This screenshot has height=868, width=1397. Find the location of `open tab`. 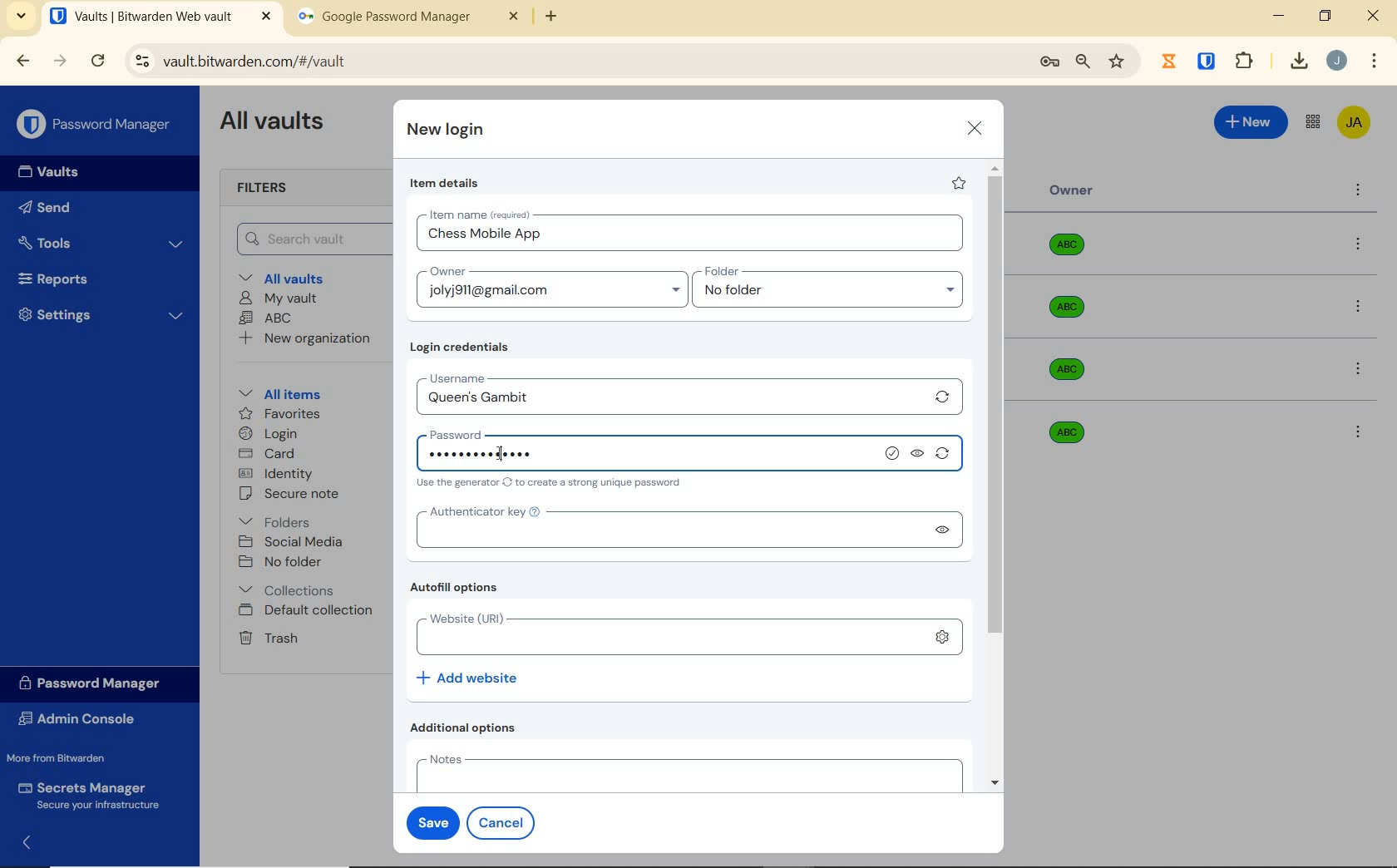

open tab is located at coordinates (160, 17).